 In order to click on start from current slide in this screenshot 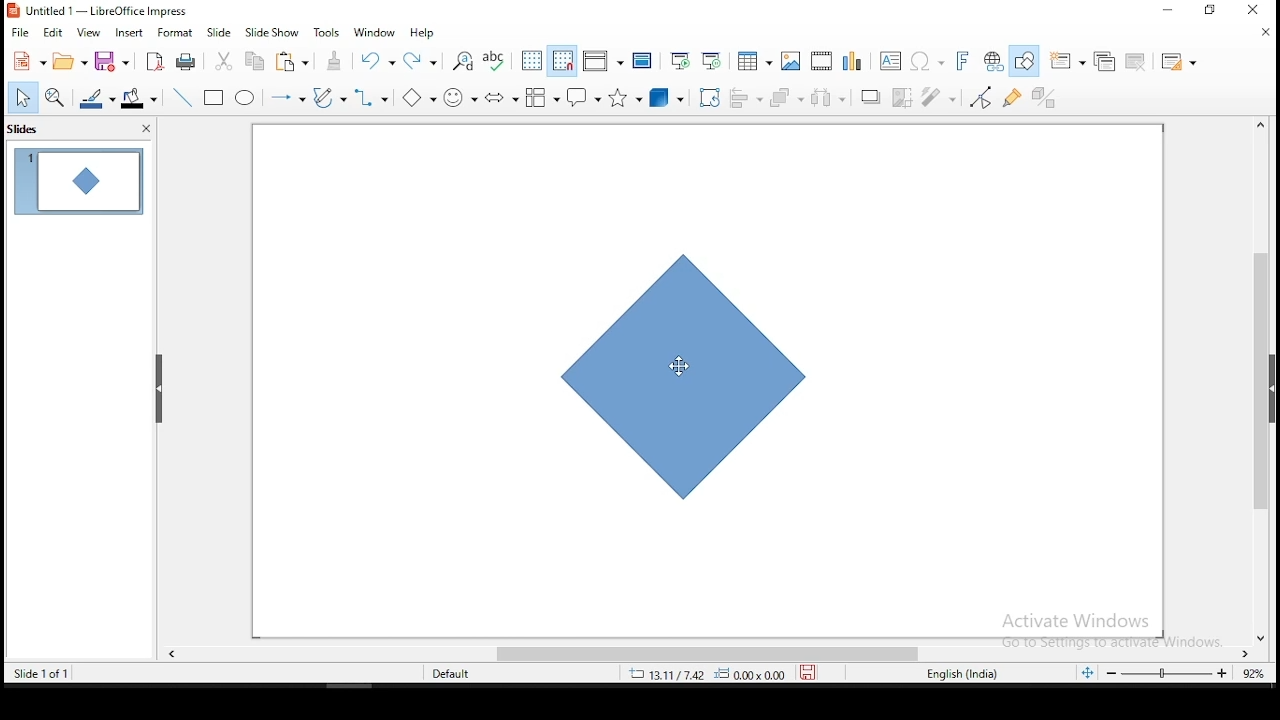, I will do `click(707, 61)`.